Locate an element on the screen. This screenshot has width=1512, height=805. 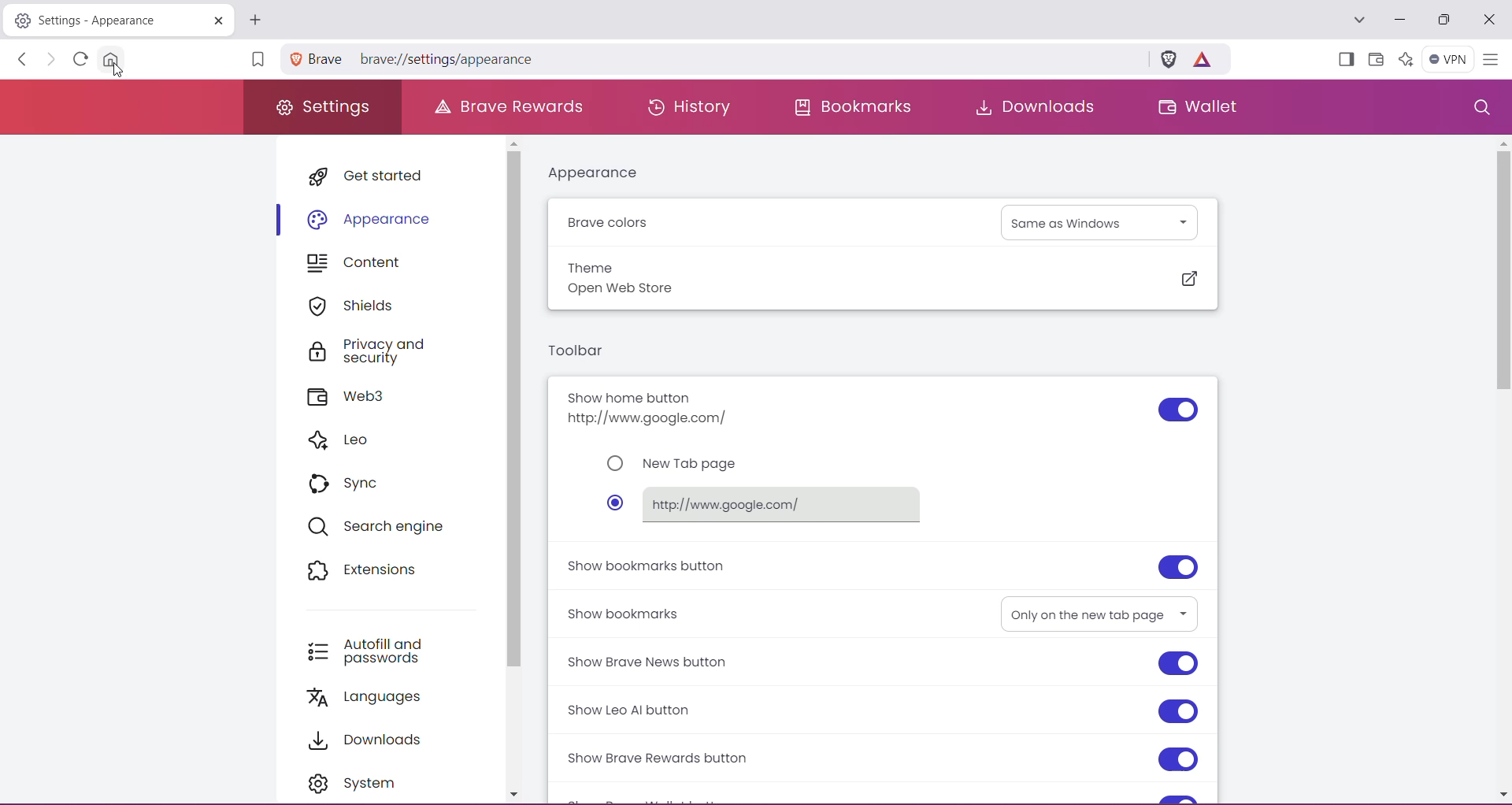
Cose Tab is located at coordinates (215, 20).